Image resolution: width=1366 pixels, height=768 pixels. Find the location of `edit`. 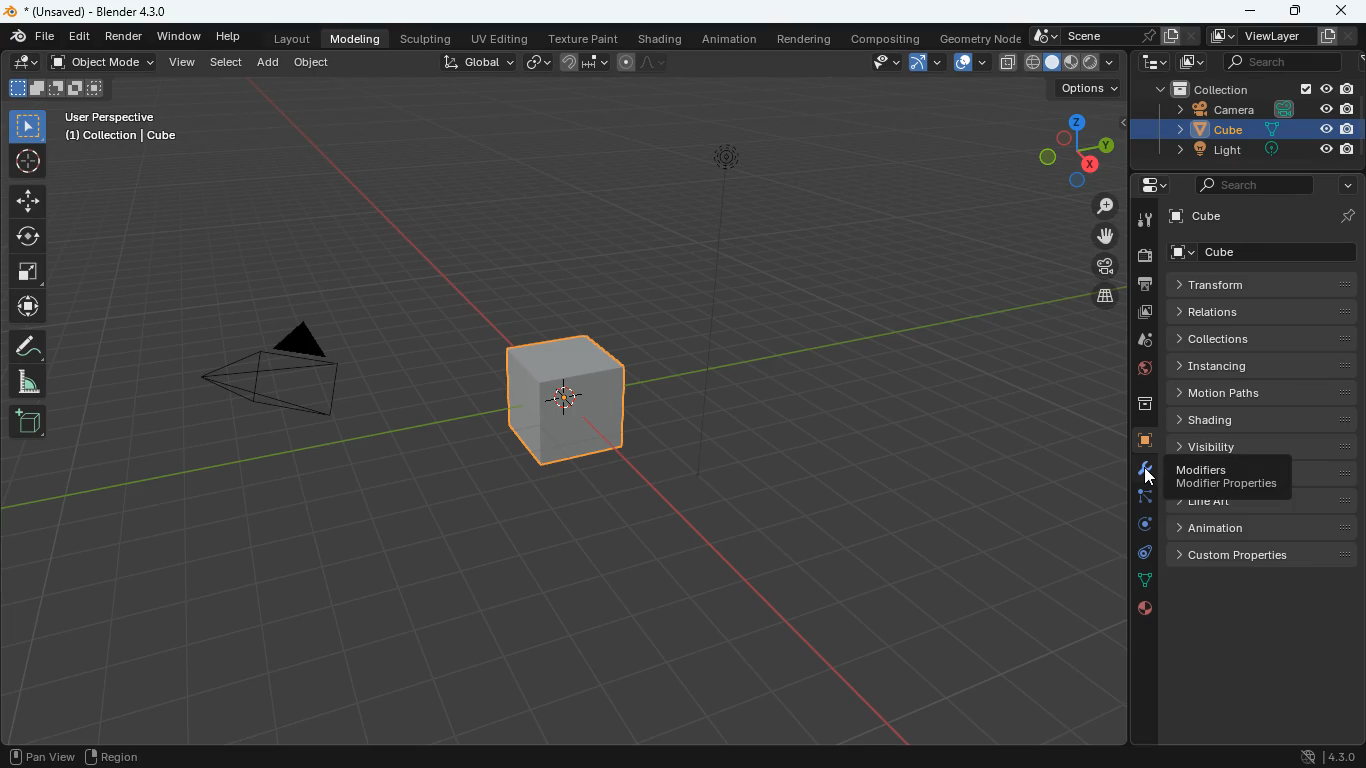

edit is located at coordinates (82, 37).